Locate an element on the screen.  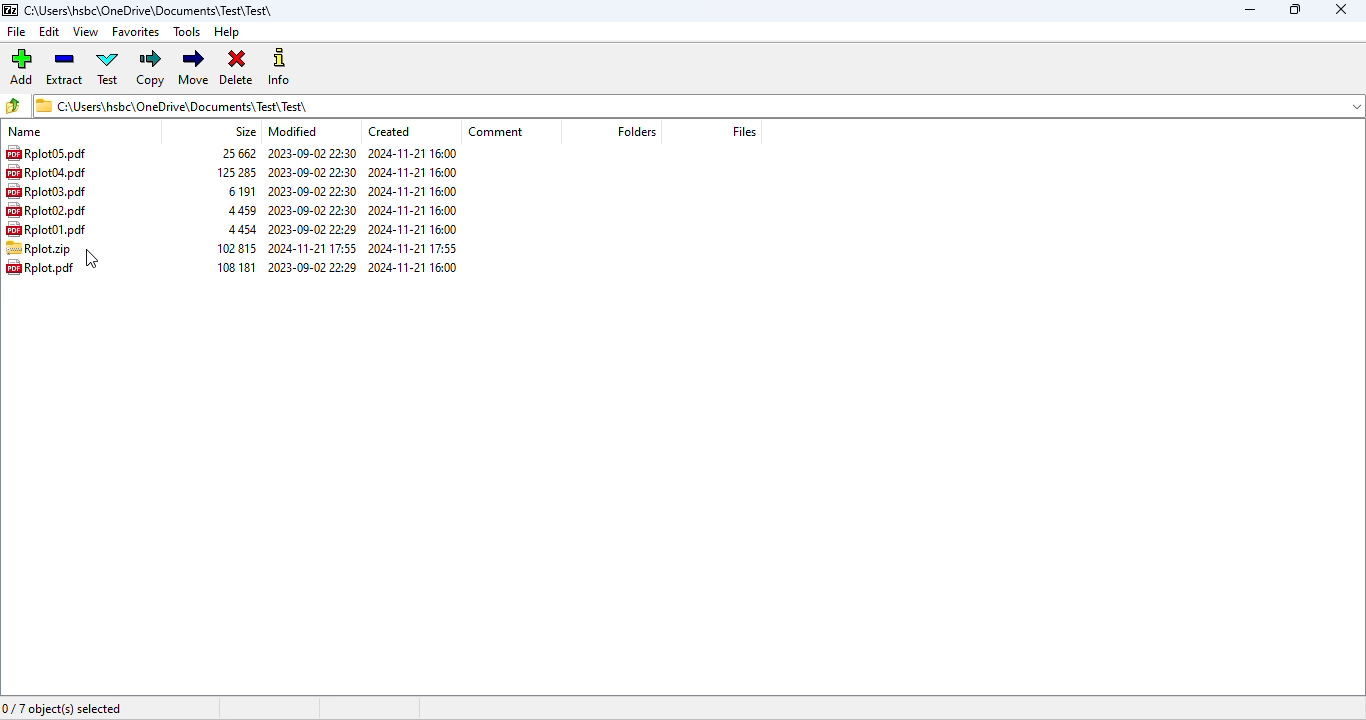
close is located at coordinates (1342, 9).